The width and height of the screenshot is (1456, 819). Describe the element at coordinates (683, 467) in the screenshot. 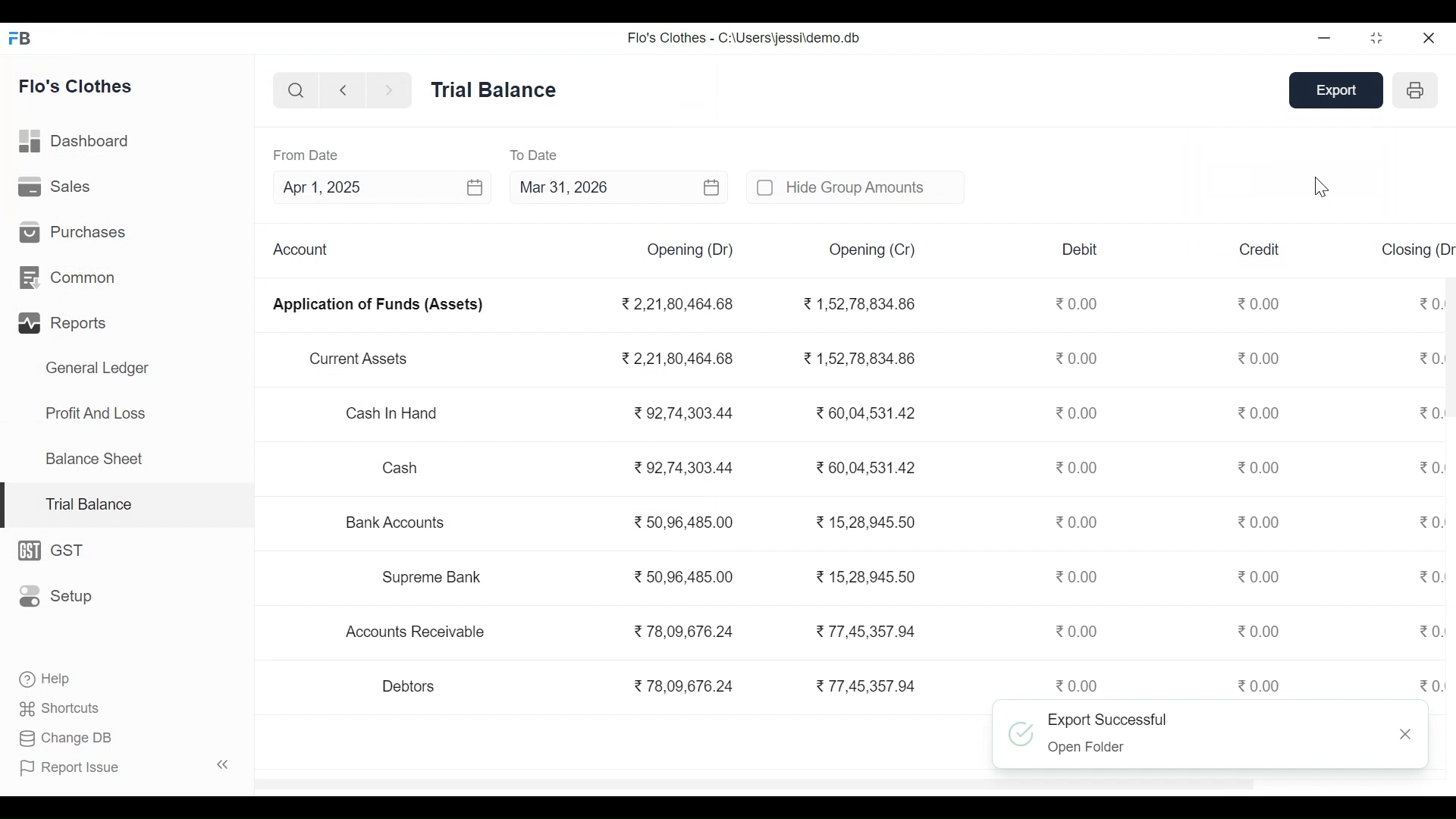

I see `92,74,303.44` at that location.